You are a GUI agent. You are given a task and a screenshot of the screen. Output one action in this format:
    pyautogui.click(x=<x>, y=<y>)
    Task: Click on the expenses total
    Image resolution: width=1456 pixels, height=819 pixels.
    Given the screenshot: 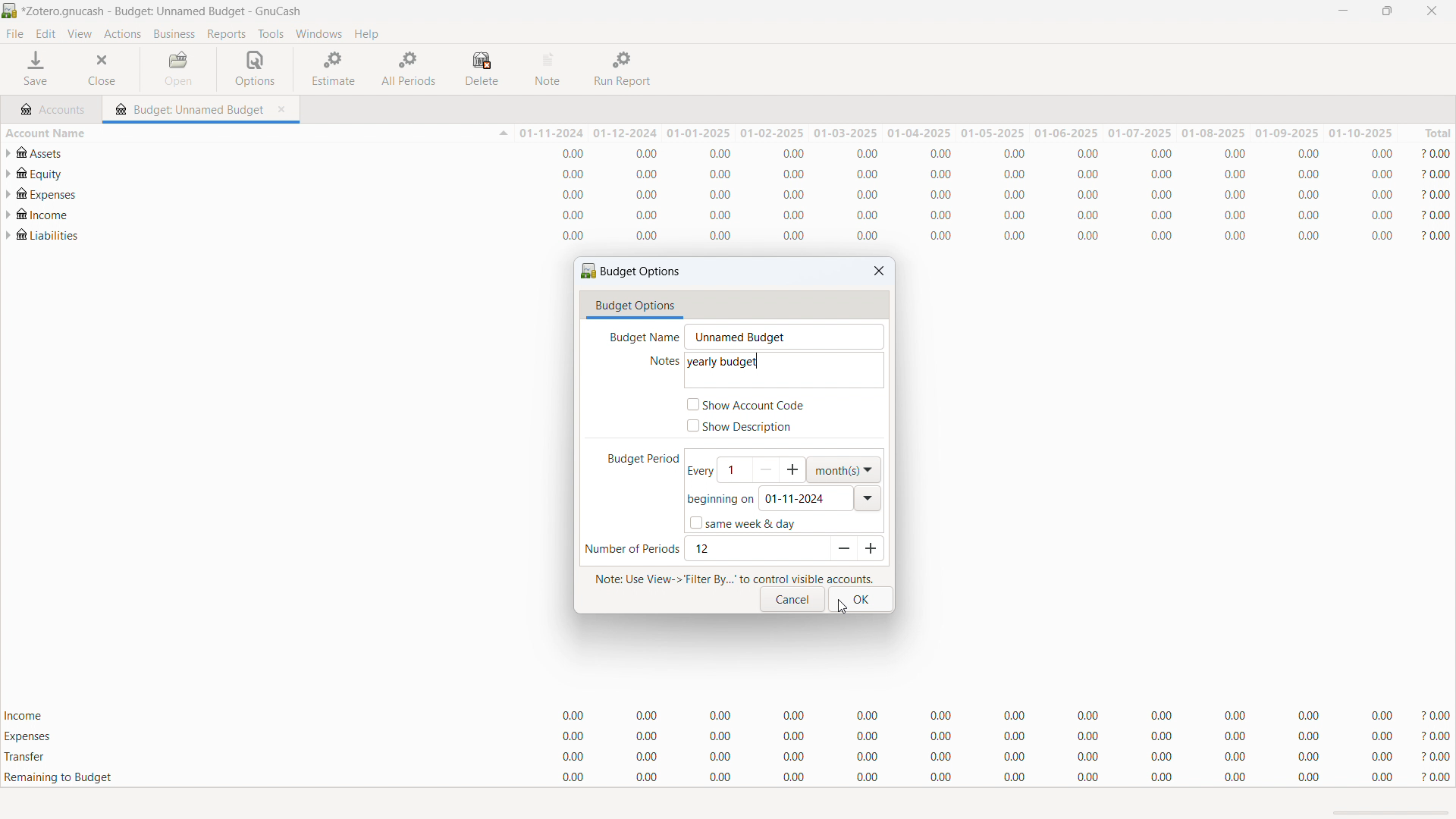 What is the action you would take?
    pyautogui.click(x=728, y=736)
    